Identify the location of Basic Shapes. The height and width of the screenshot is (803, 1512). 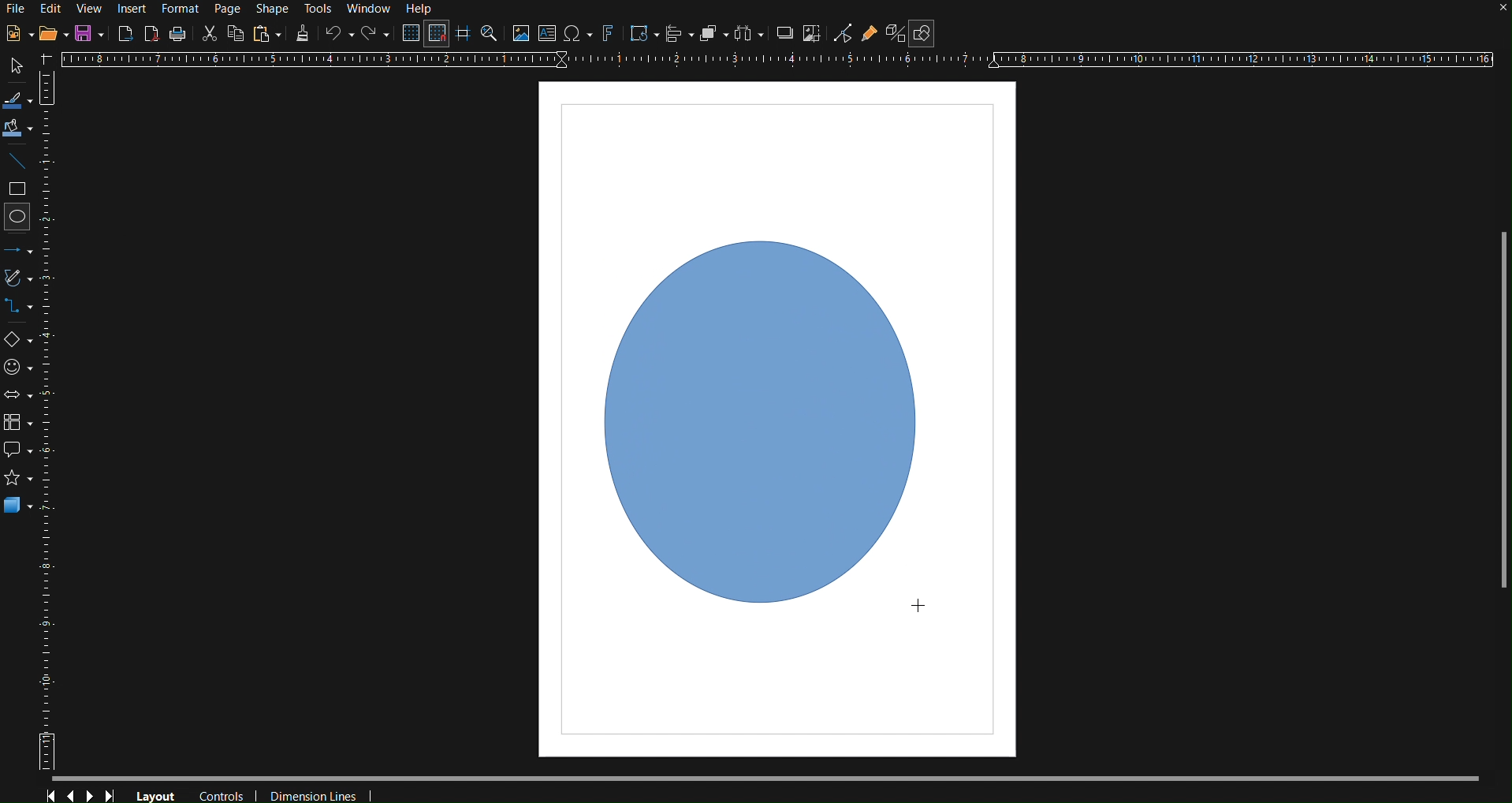
(22, 342).